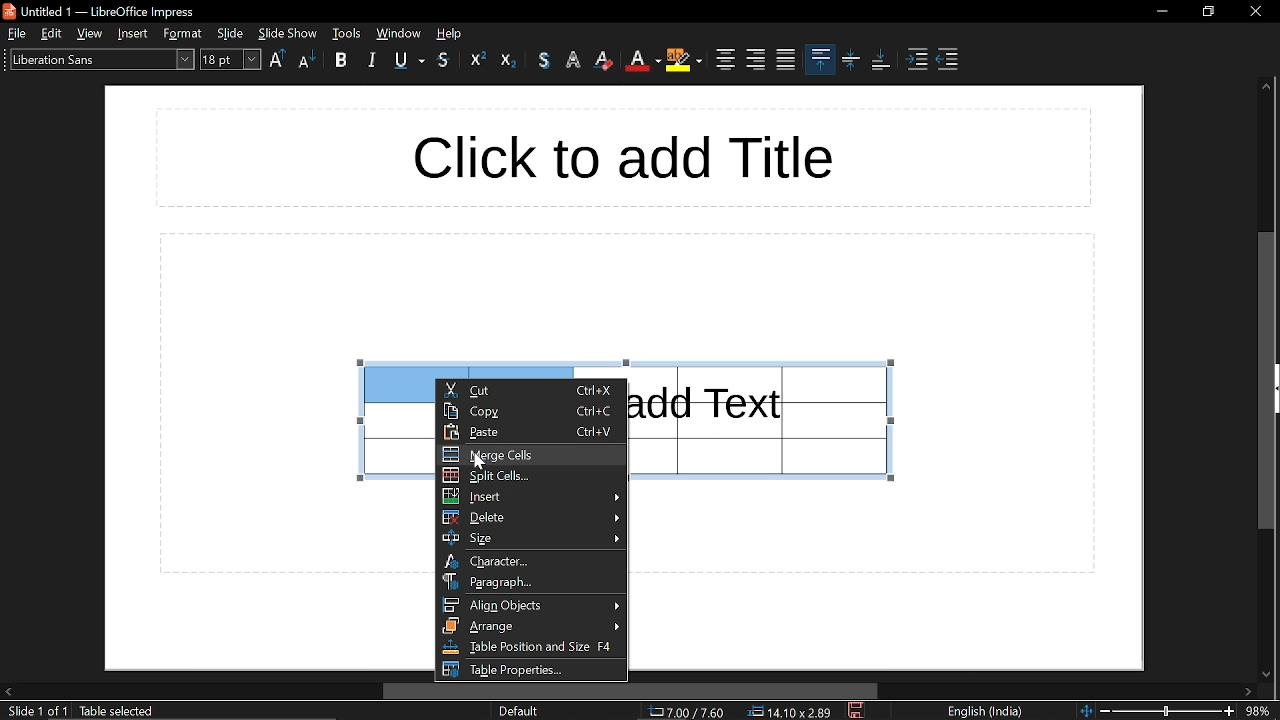  What do you see at coordinates (371, 61) in the screenshot?
I see `italic` at bounding box center [371, 61].